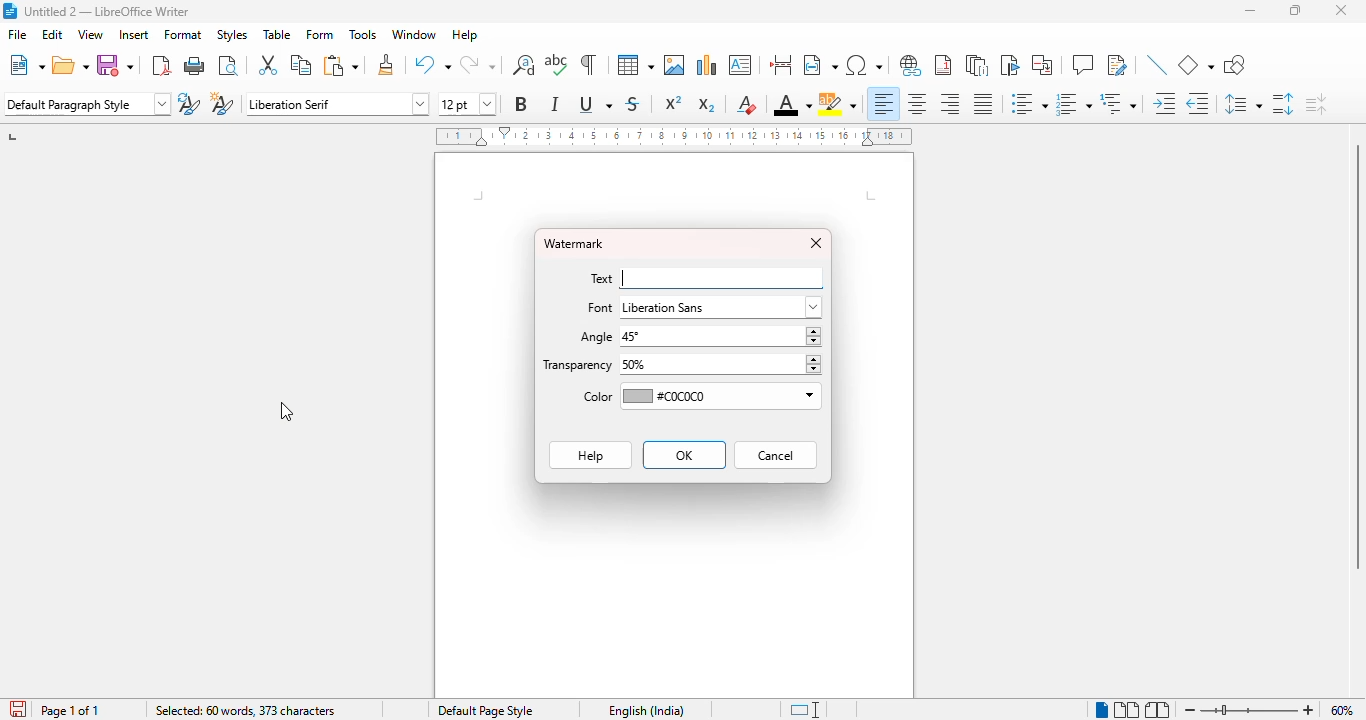  I want to click on English (India), so click(645, 710).